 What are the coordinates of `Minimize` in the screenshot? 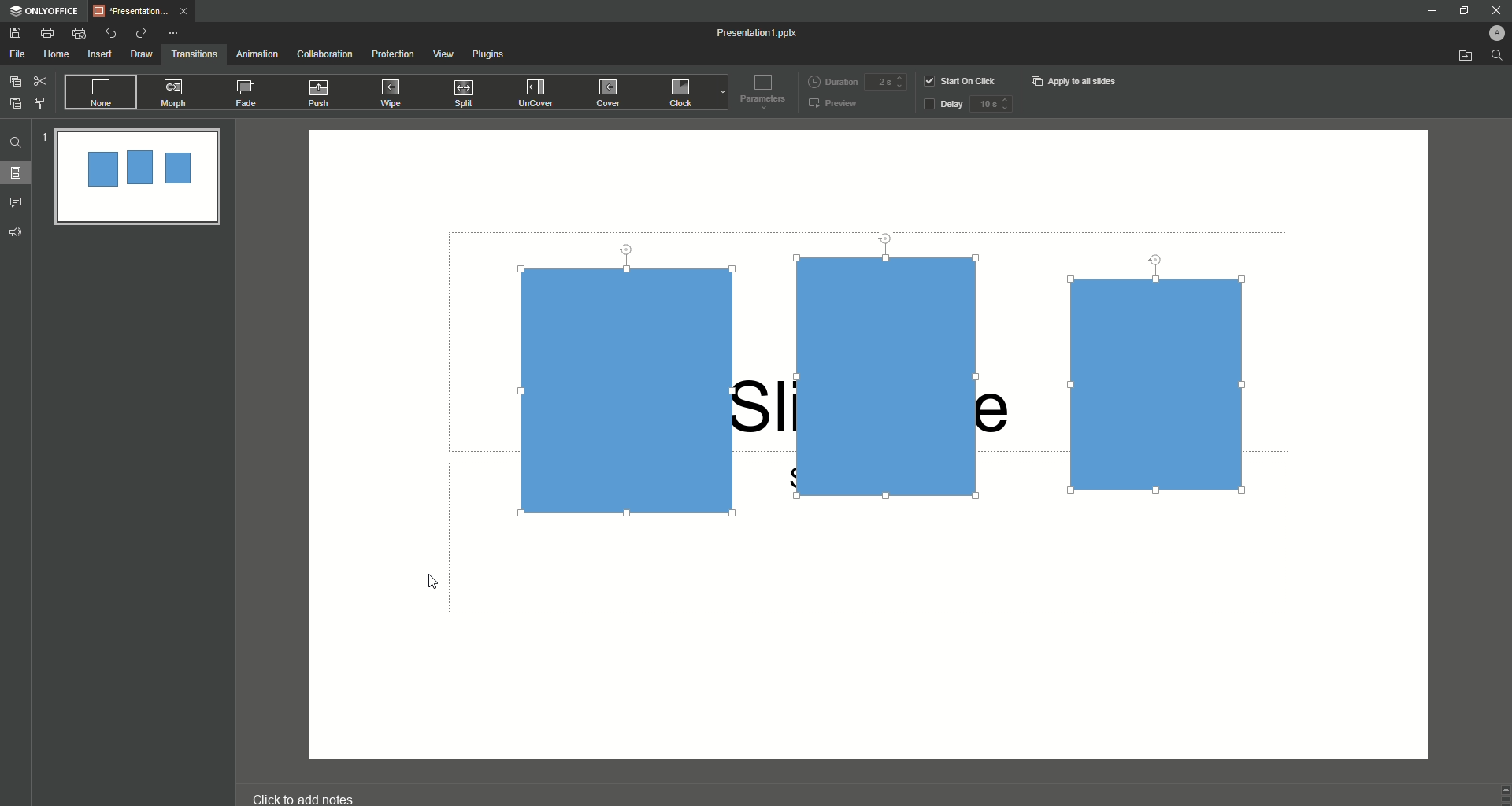 It's located at (1430, 13).